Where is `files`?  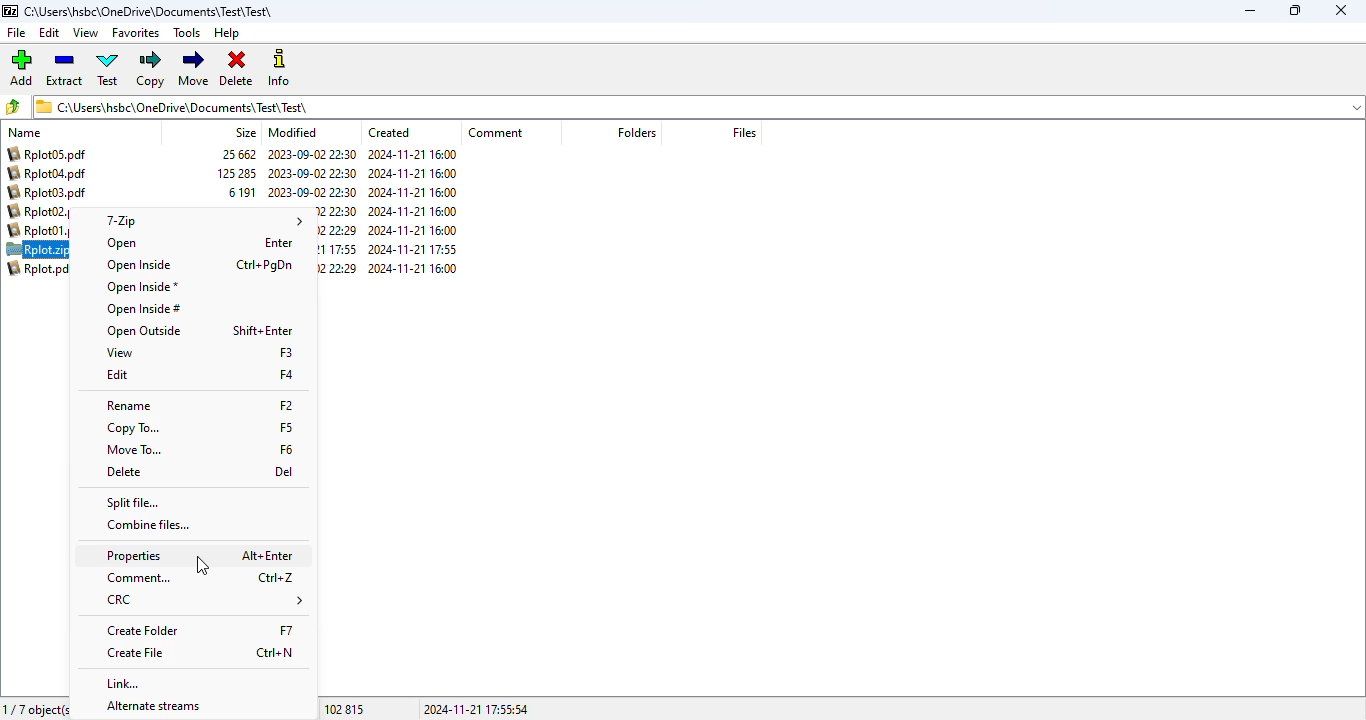
files is located at coordinates (744, 132).